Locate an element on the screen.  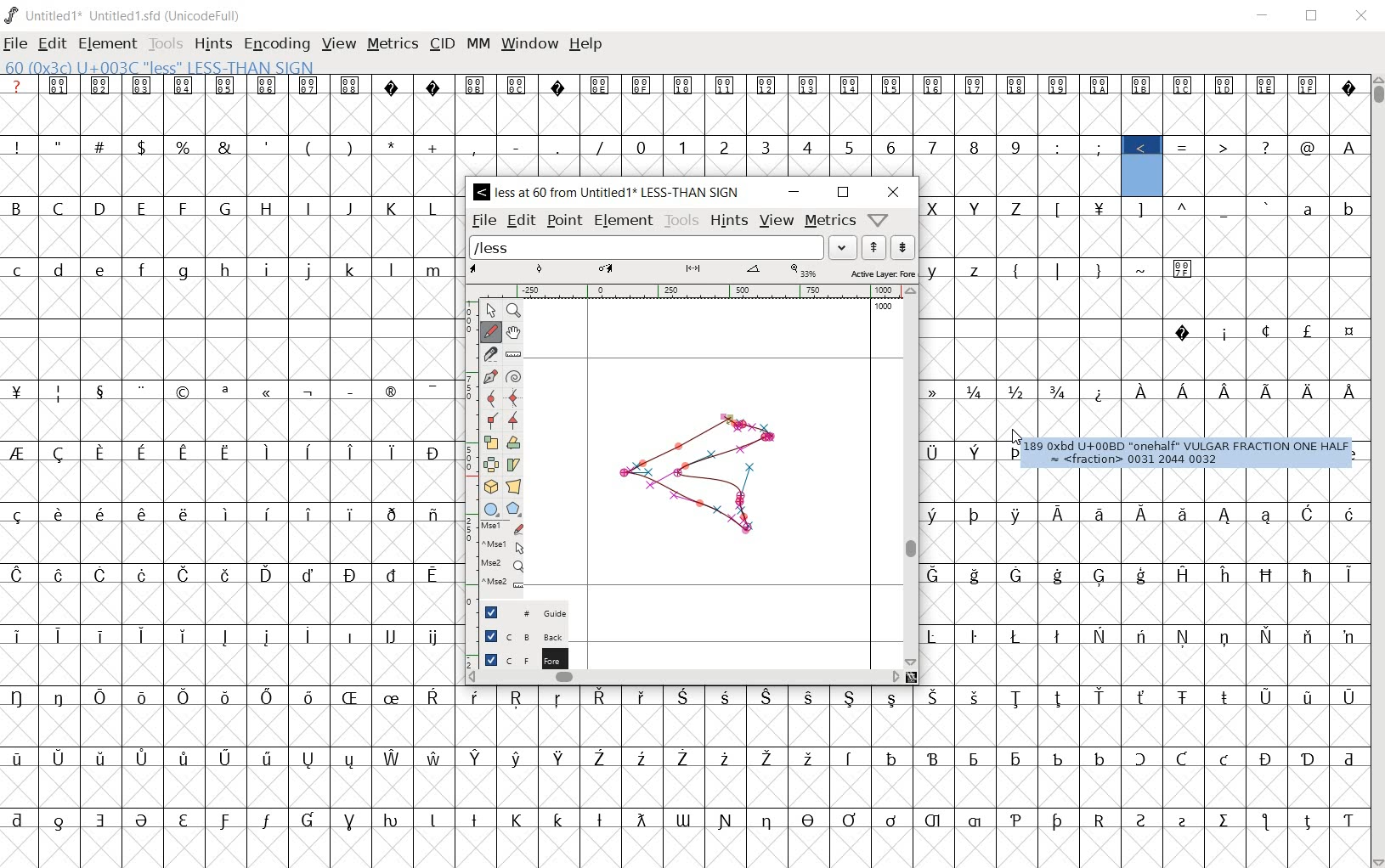
scrollbar is located at coordinates (684, 679).